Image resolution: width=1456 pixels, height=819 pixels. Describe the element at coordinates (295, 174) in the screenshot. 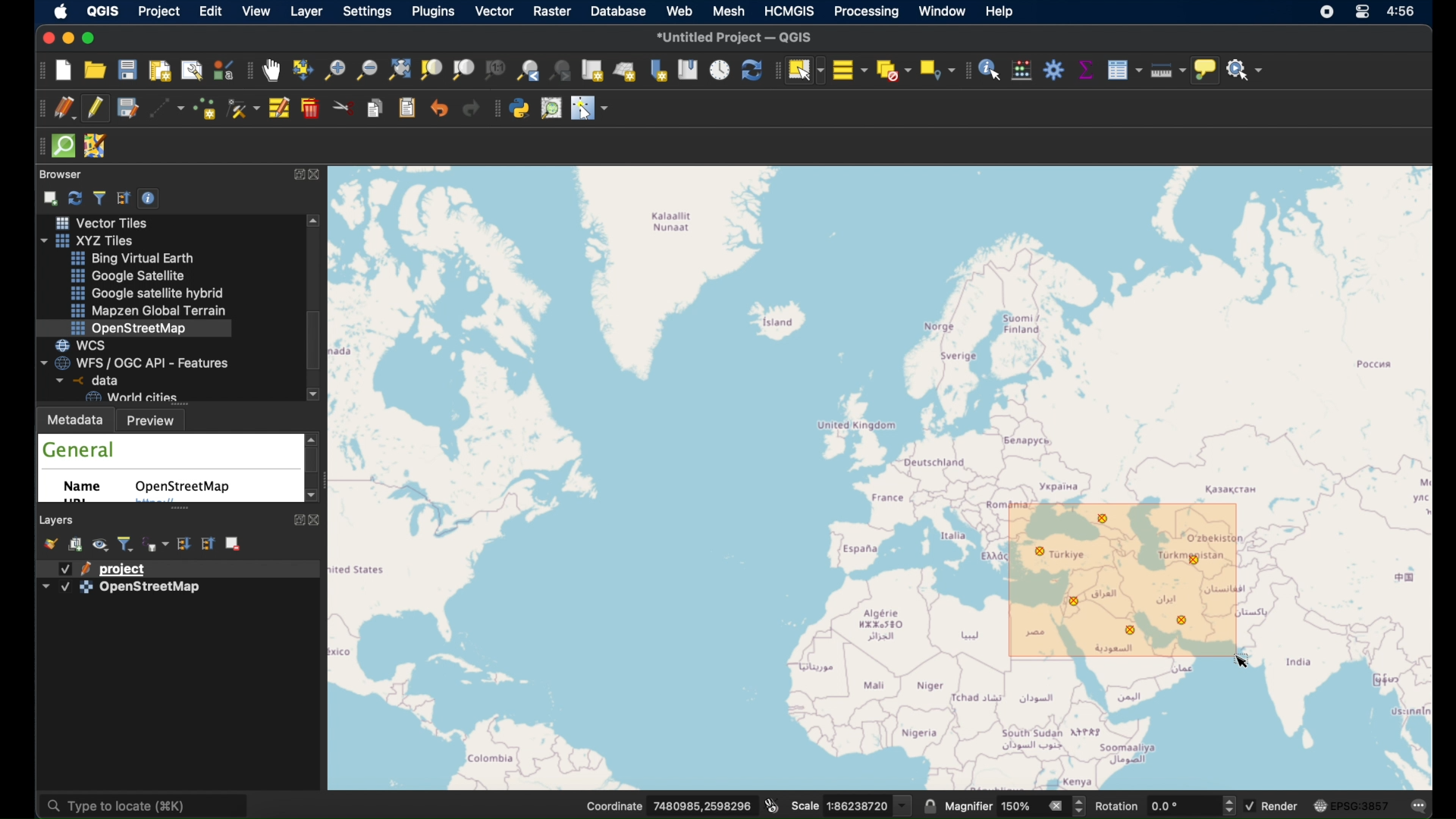

I see `expand` at that location.